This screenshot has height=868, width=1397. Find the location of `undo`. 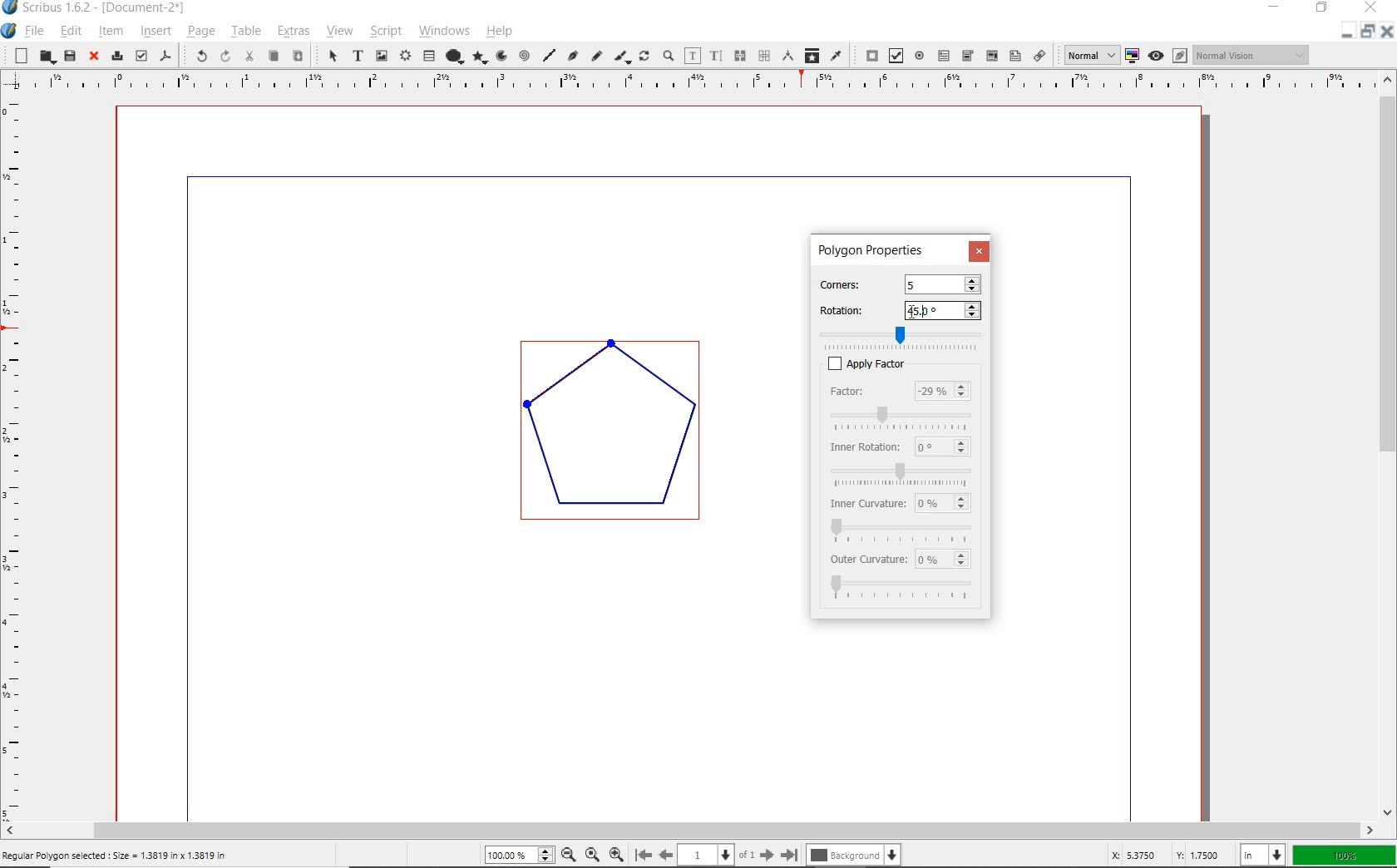

undo is located at coordinates (195, 56).